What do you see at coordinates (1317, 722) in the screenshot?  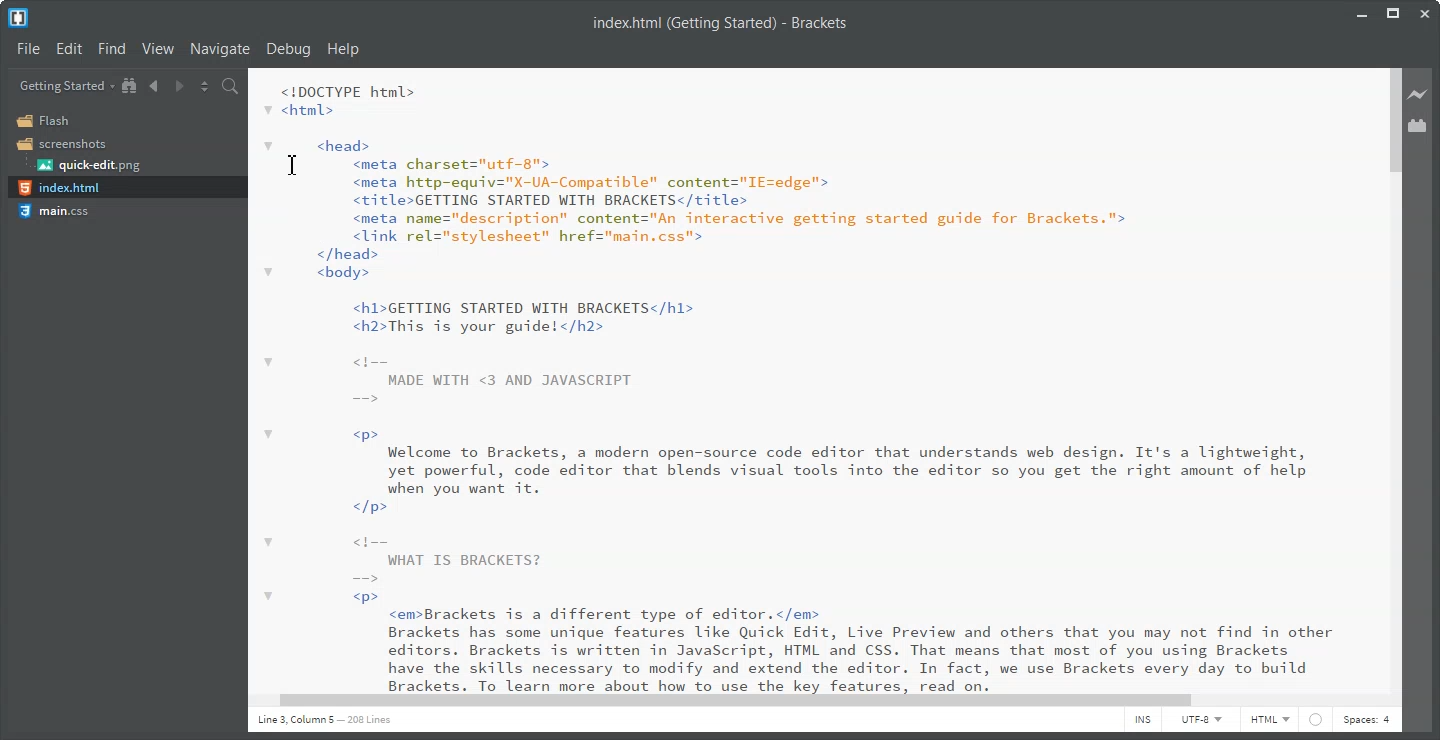 I see `web` at bounding box center [1317, 722].